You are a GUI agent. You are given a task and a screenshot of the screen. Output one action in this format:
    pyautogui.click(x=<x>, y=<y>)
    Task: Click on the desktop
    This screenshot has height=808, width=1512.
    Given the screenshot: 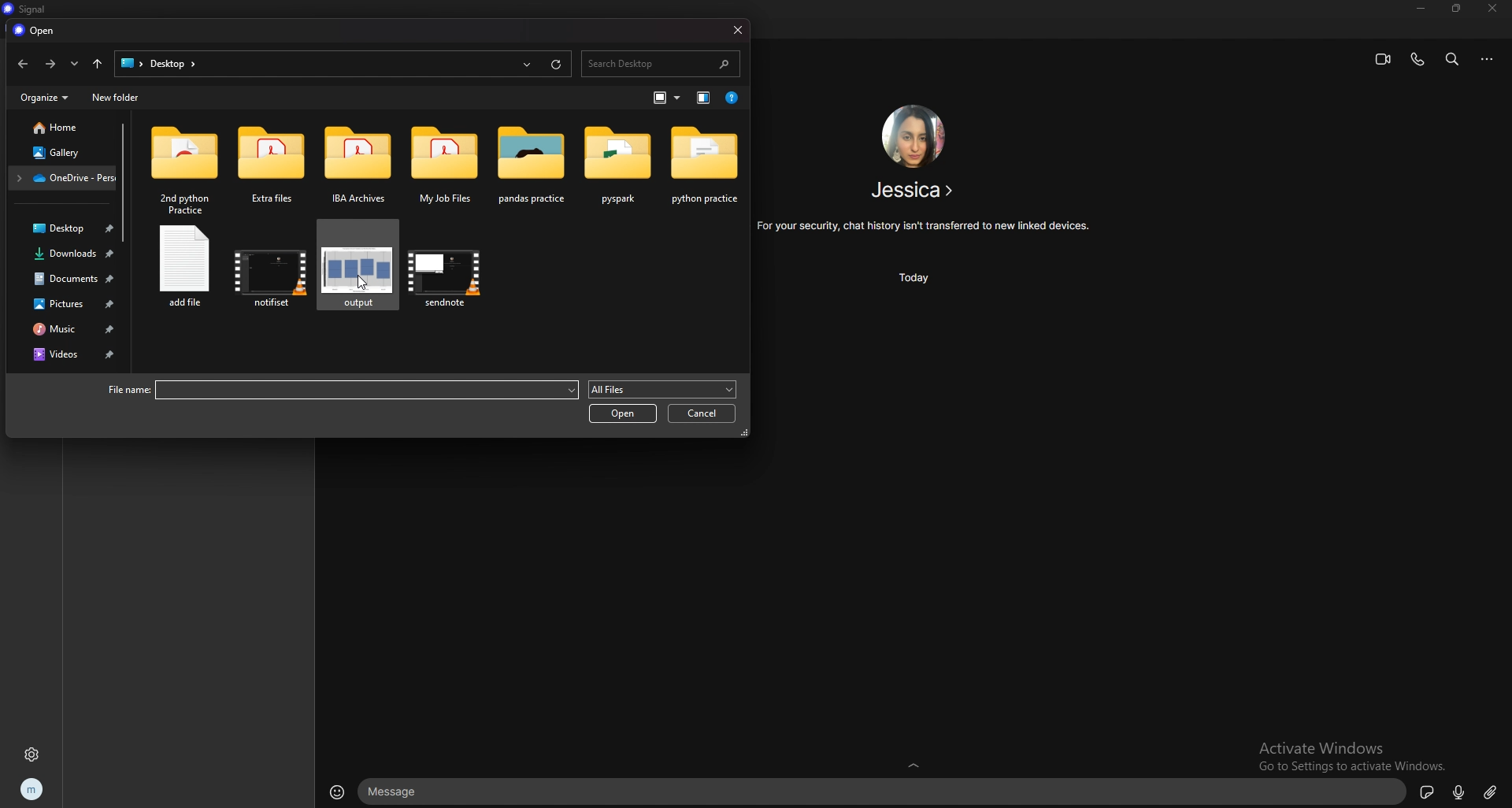 What is the action you would take?
    pyautogui.click(x=64, y=230)
    